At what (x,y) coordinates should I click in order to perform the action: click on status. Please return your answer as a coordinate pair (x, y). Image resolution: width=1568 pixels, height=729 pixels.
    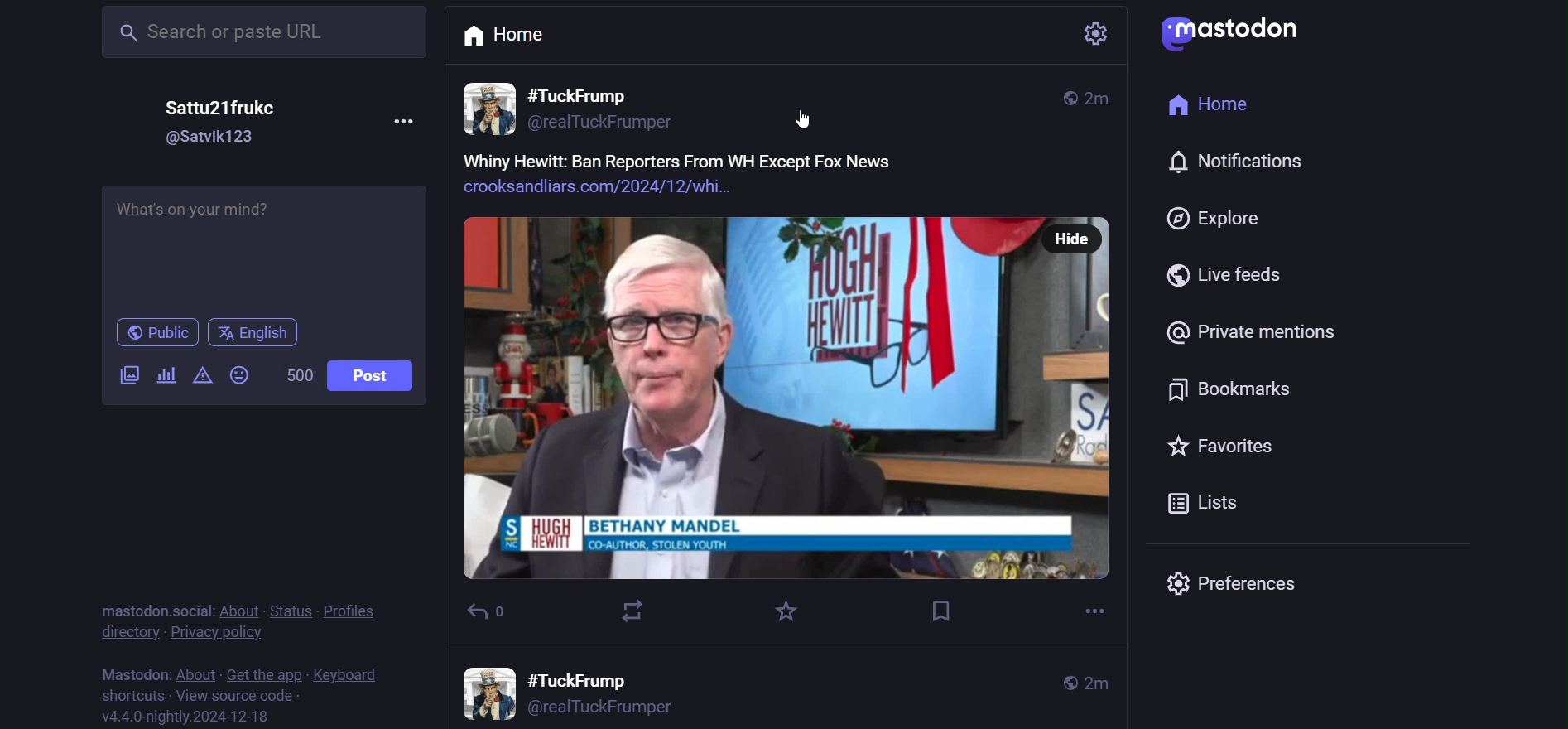
    Looking at the image, I should click on (293, 609).